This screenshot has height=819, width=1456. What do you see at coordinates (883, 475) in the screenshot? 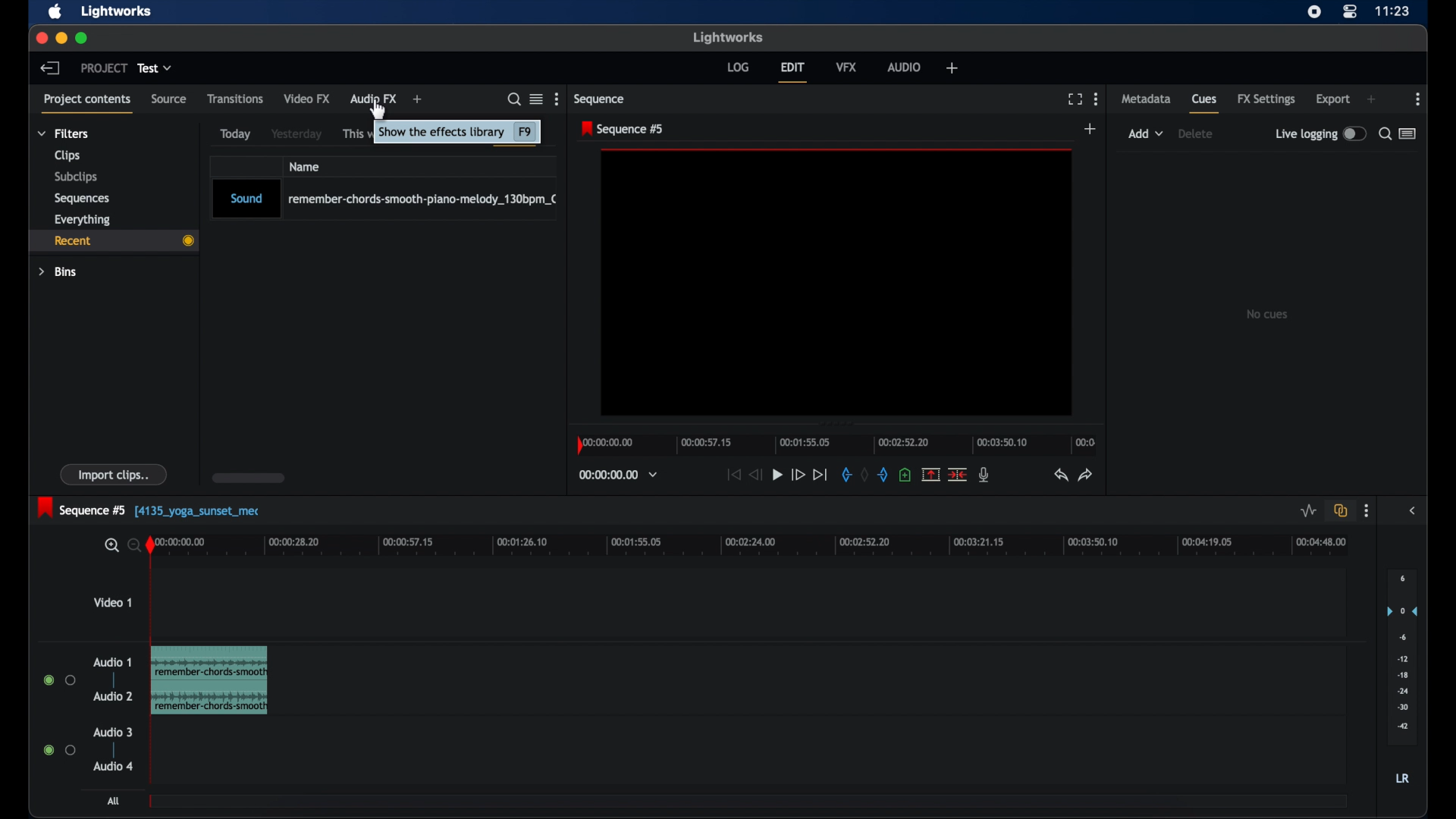
I see `out mark` at bounding box center [883, 475].